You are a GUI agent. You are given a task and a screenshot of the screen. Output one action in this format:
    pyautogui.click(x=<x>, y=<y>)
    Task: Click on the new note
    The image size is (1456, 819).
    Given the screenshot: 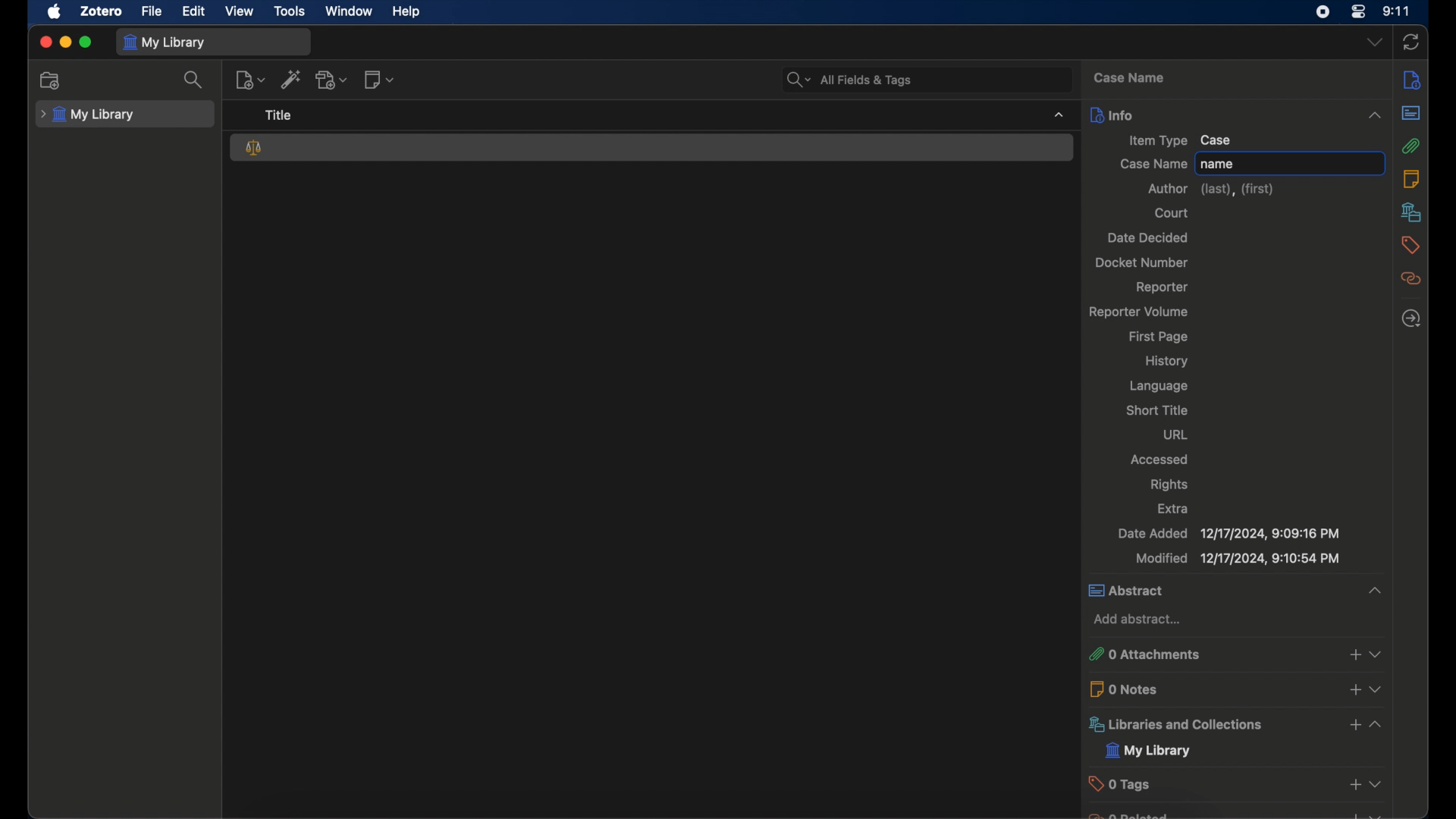 What is the action you would take?
    pyautogui.click(x=379, y=80)
    